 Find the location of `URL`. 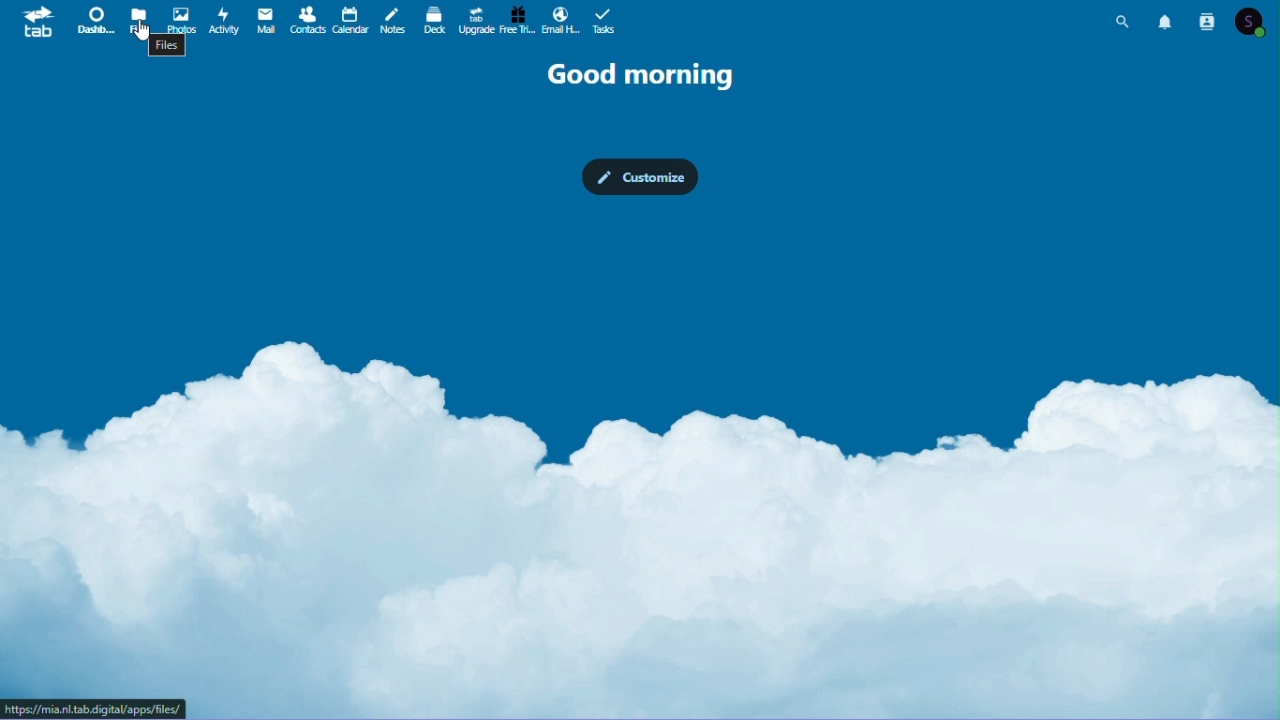

URL is located at coordinates (94, 709).